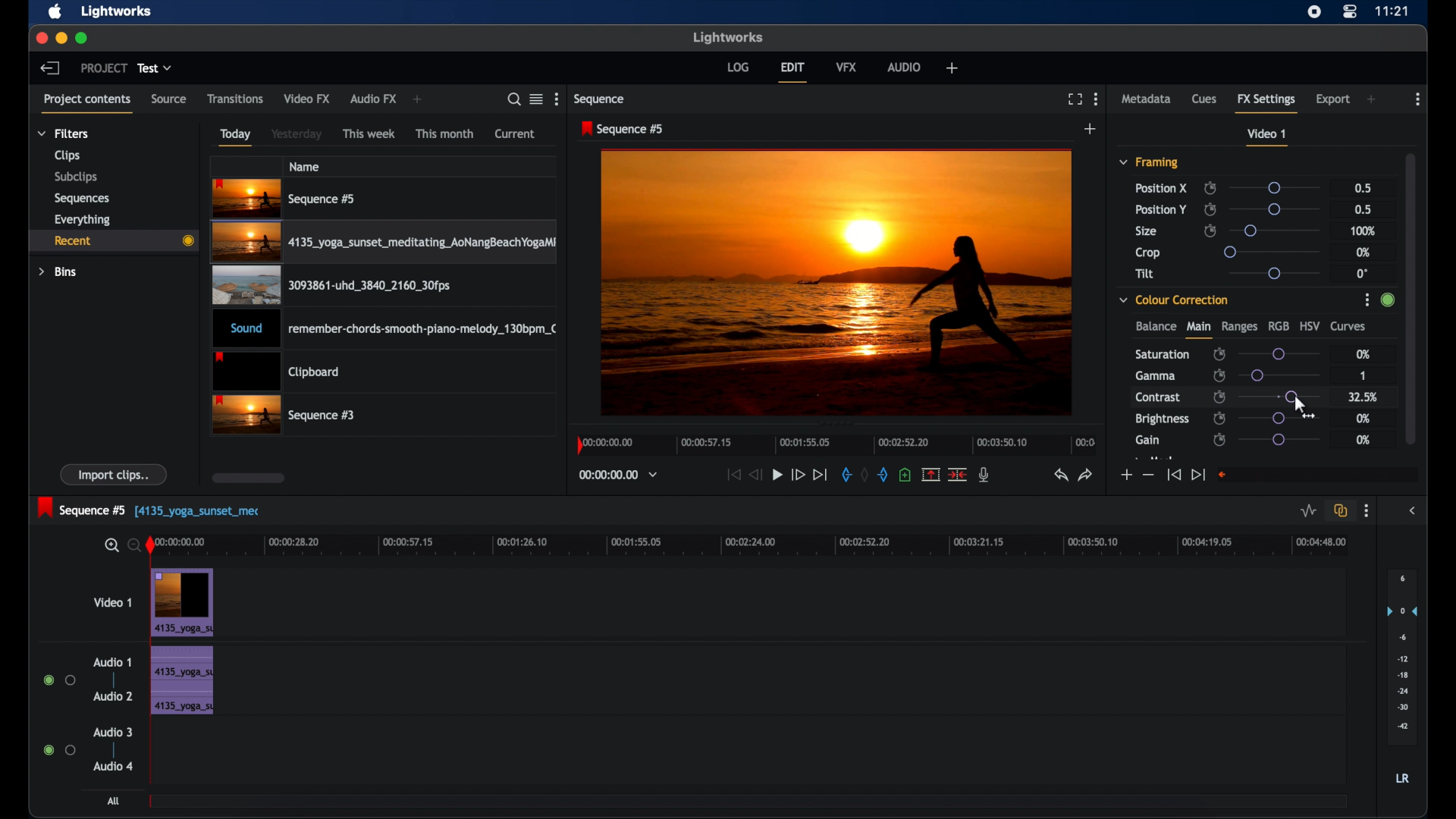 This screenshot has height=819, width=1456. What do you see at coordinates (952, 67) in the screenshot?
I see `add` at bounding box center [952, 67].